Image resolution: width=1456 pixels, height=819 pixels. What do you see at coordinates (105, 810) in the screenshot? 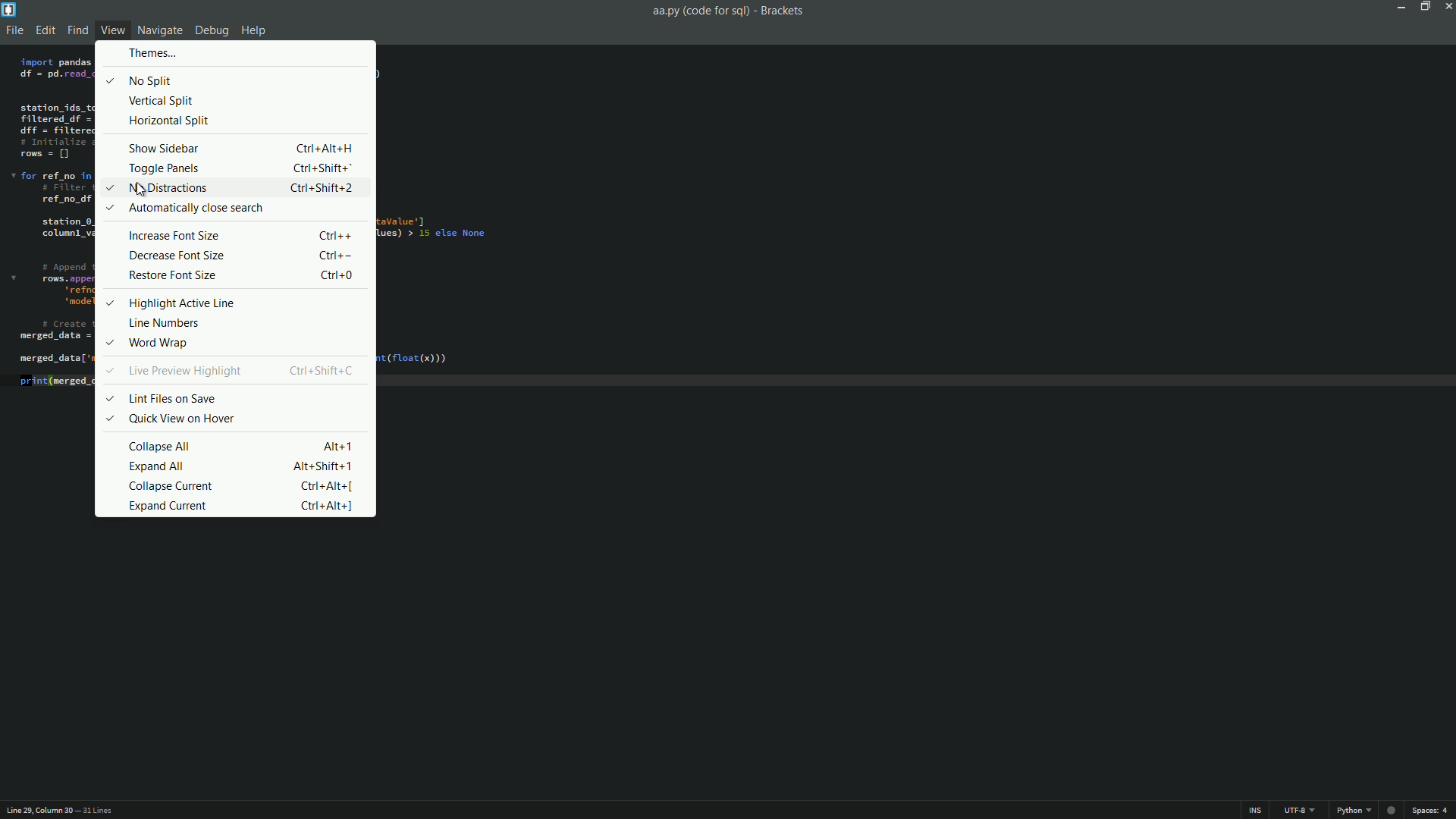
I see `number of lines text field` at bounding box center [105, 810].